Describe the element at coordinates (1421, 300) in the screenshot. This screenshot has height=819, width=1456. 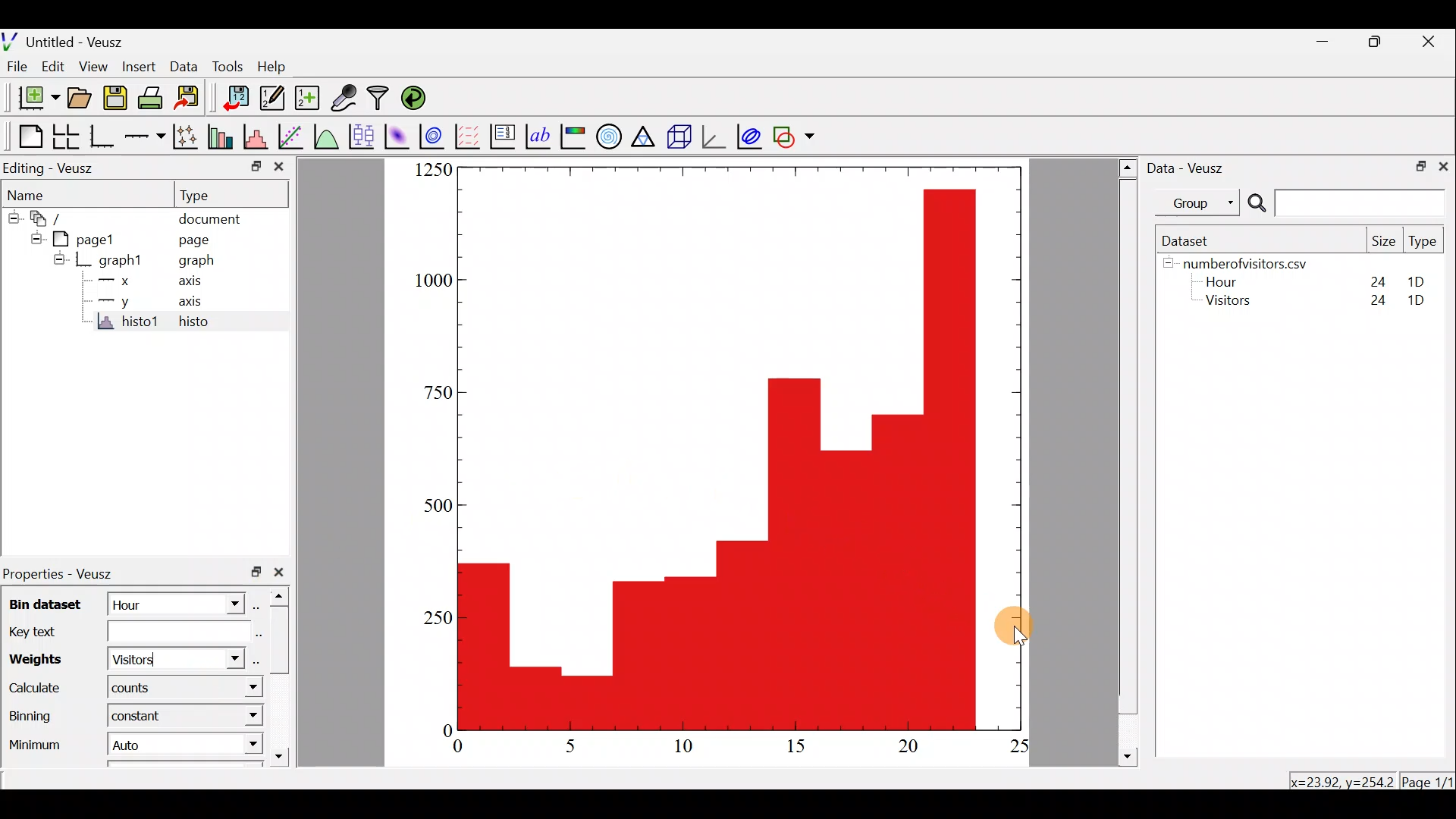
I see `1D` at that location.